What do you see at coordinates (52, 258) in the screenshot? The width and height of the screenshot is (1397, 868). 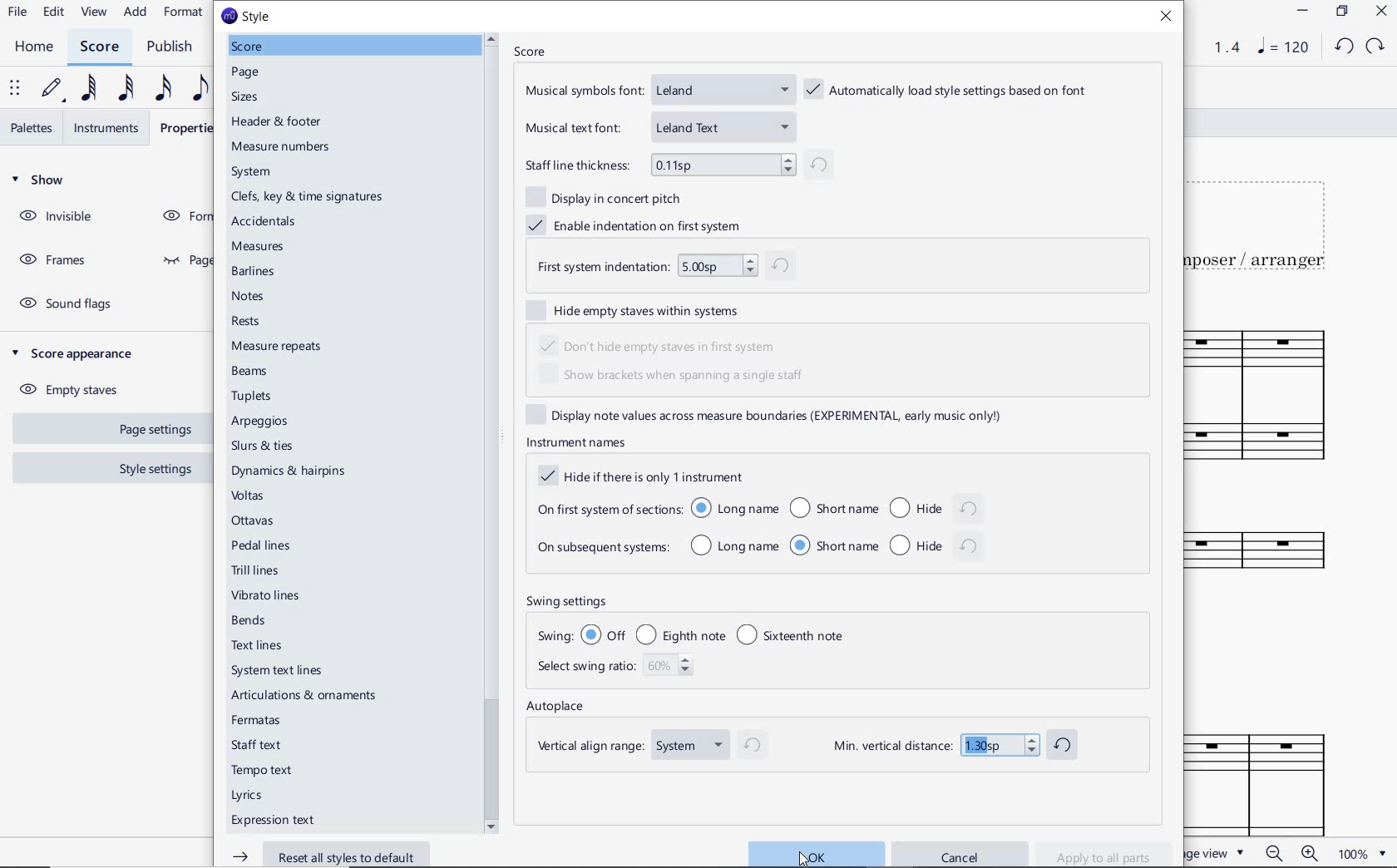 I see `FRAMES` at bounding box center [52, 258].